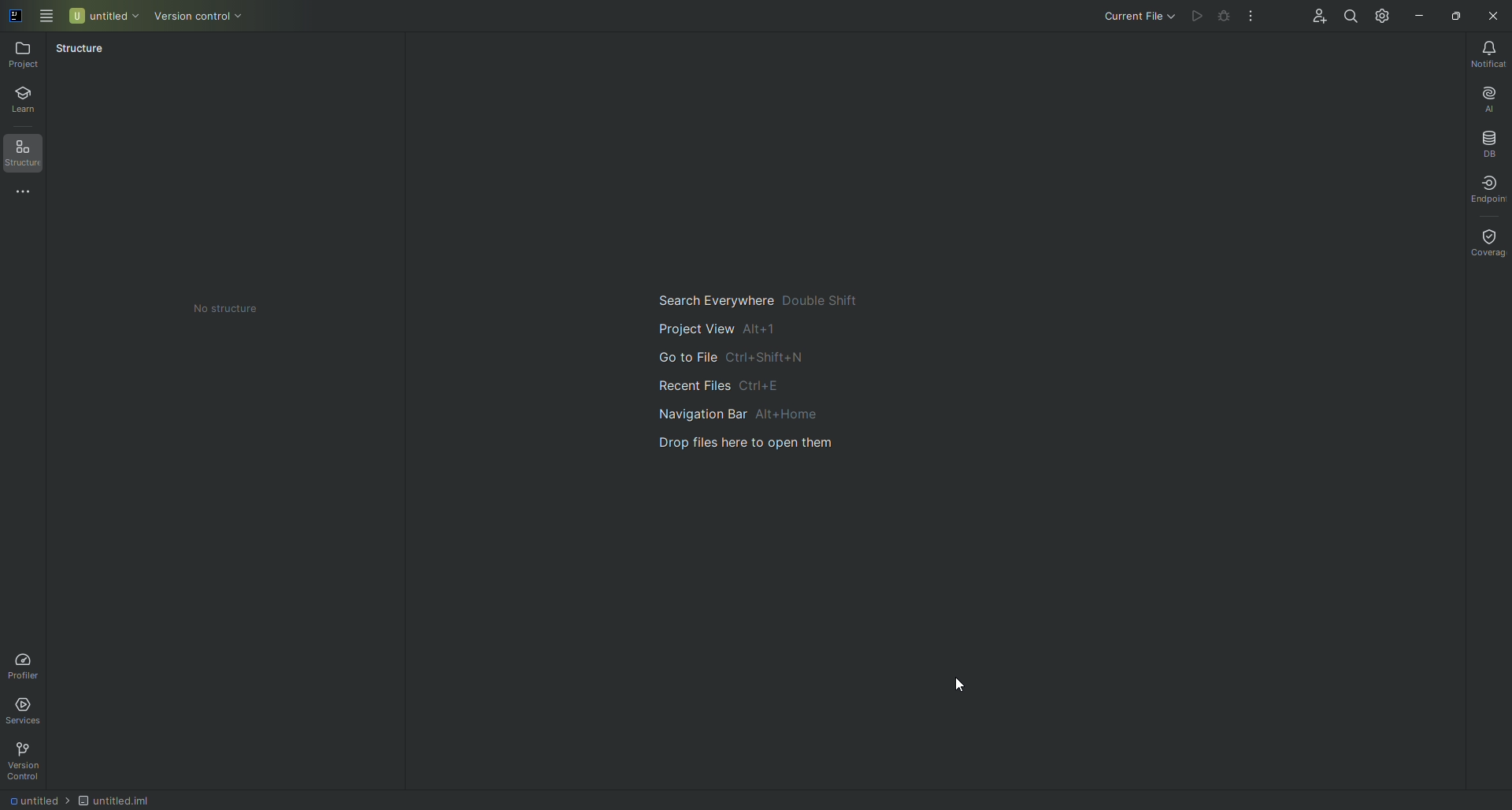  Describe the element at coordinates (1486, 144) in the screenshot. I see `Database` at that location.